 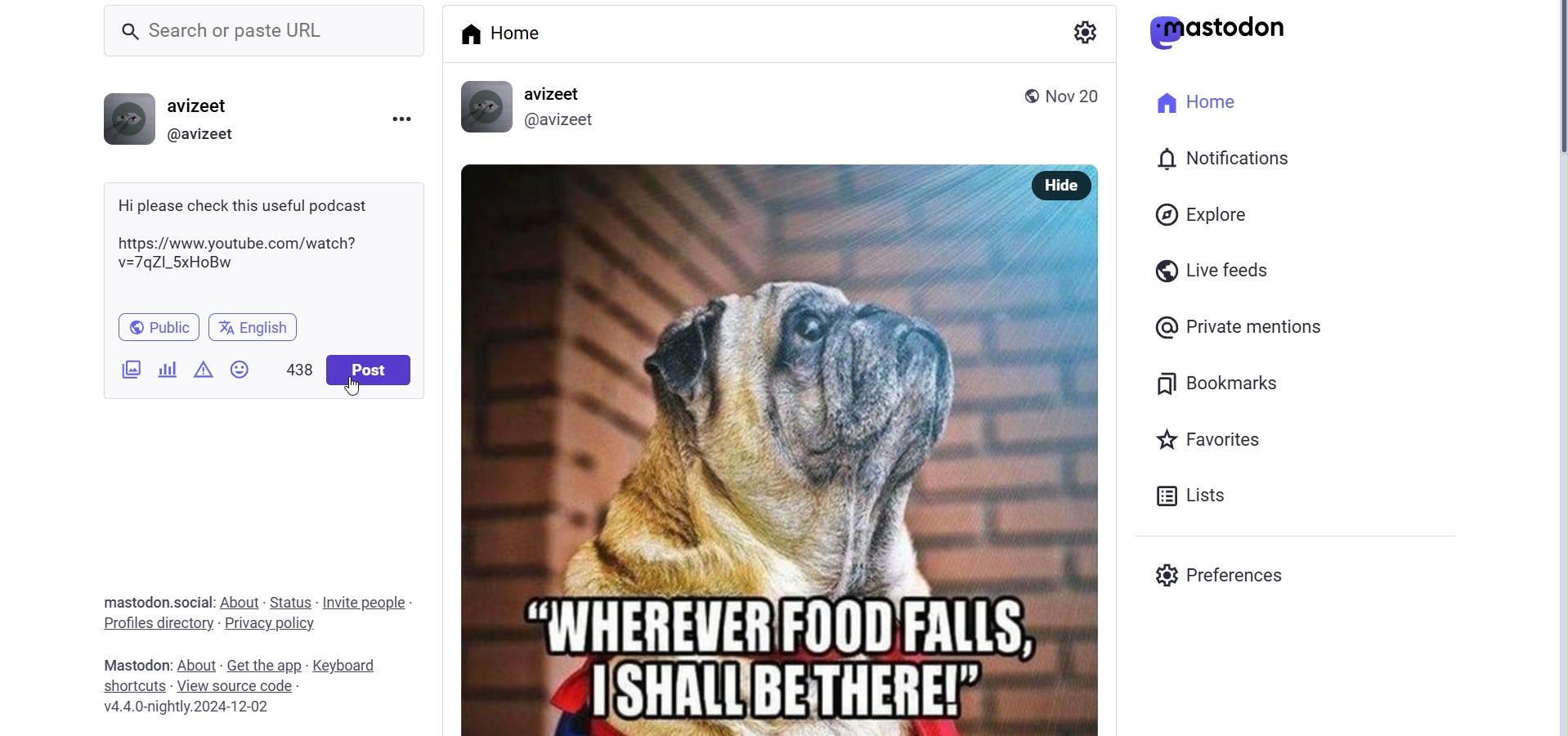 What do you see at coordinates (1226, 157) in the screenshot?
I see `notification` at bounding box center [1226, 157].